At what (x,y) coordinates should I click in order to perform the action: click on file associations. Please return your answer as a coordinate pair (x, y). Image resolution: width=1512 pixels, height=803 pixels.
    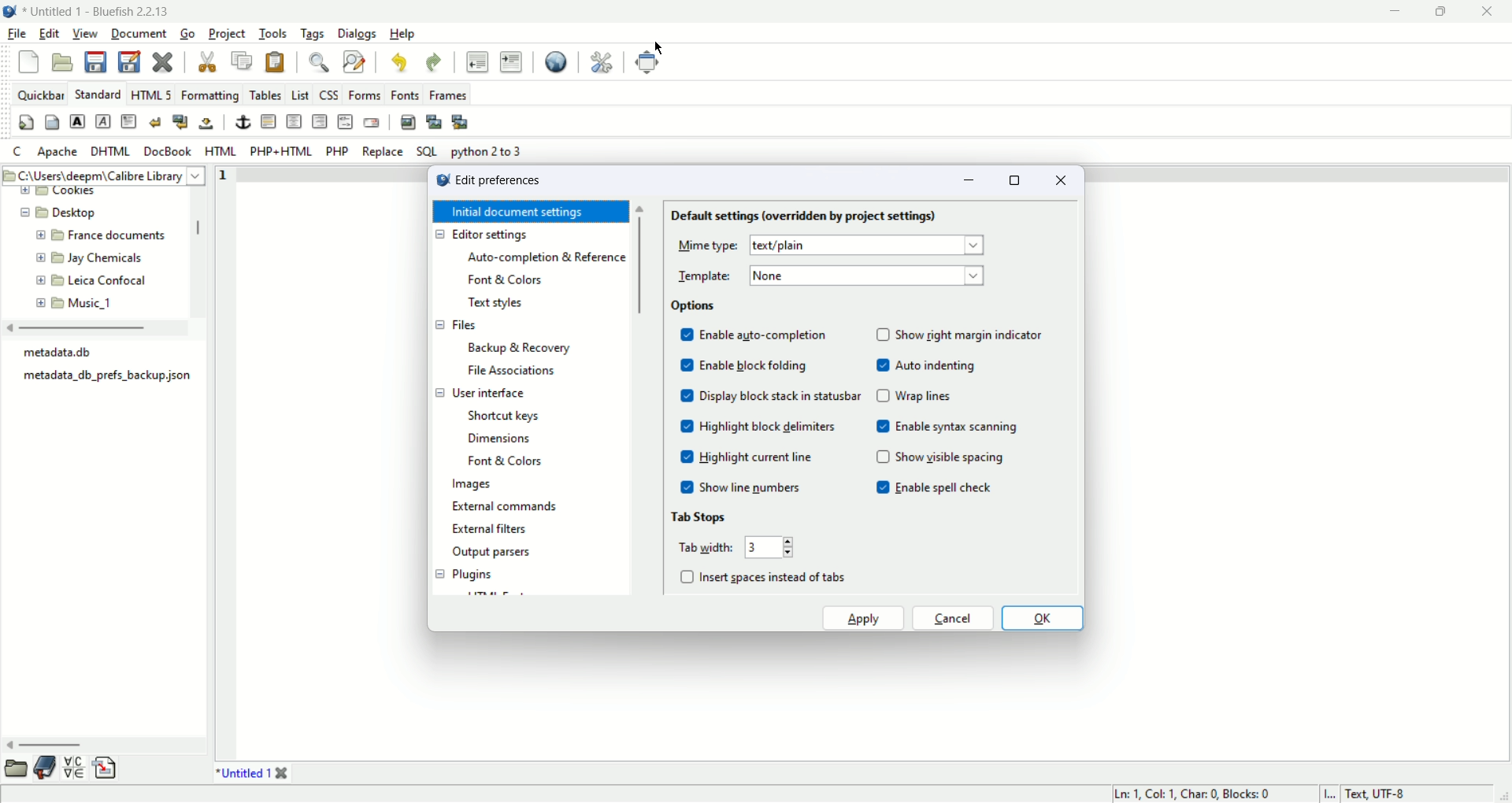
    Looking at the image, I should click on (510, 371).